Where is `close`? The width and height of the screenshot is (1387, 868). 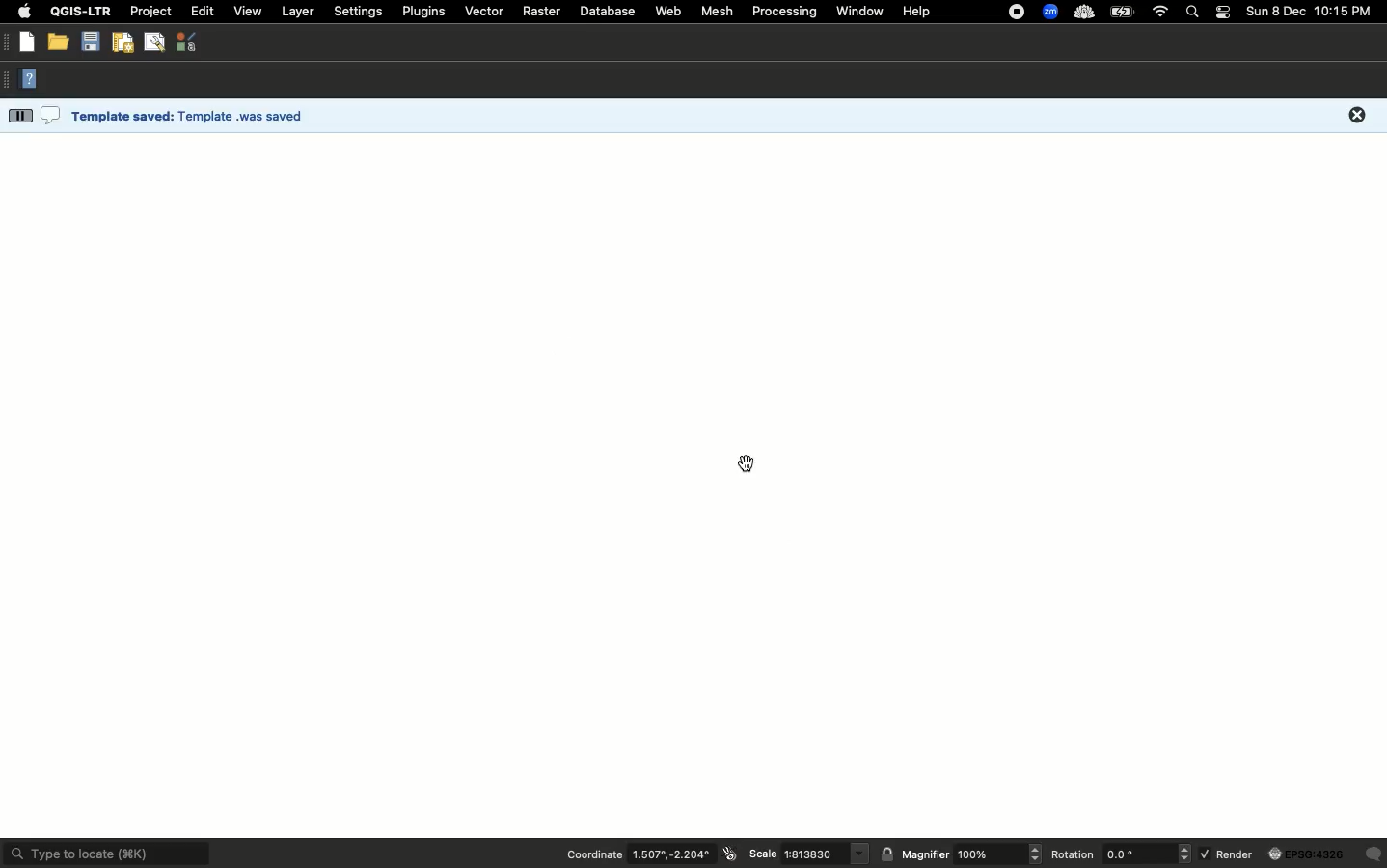 close is located at coordinates (1361, 116).